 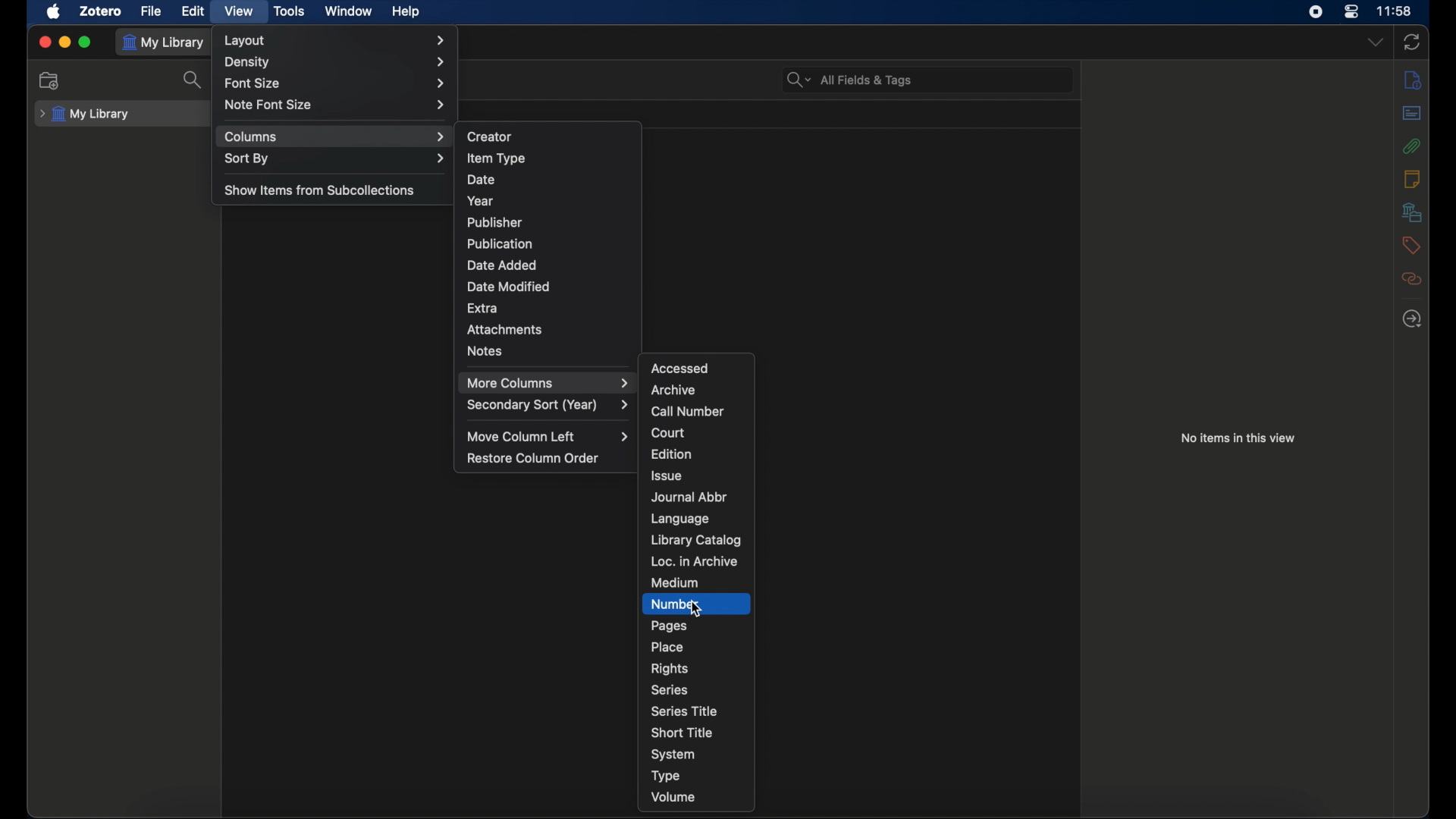 What do you see at coordinates (1412, 43) in the screenshot?
I see `sync` at bounding box center [1412, 43].